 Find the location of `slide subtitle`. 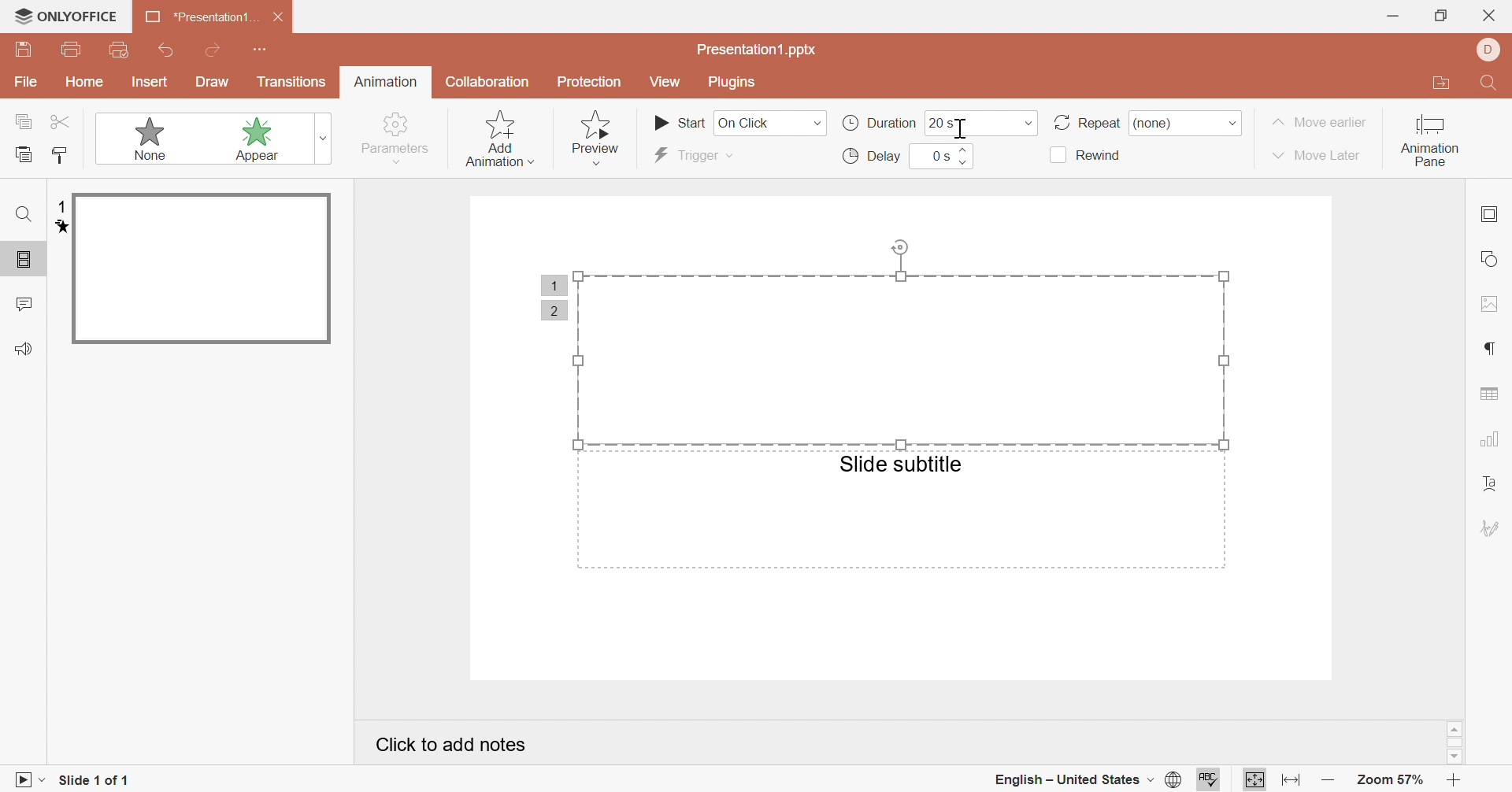

slide subtitle is located at coordinates (901, 464).